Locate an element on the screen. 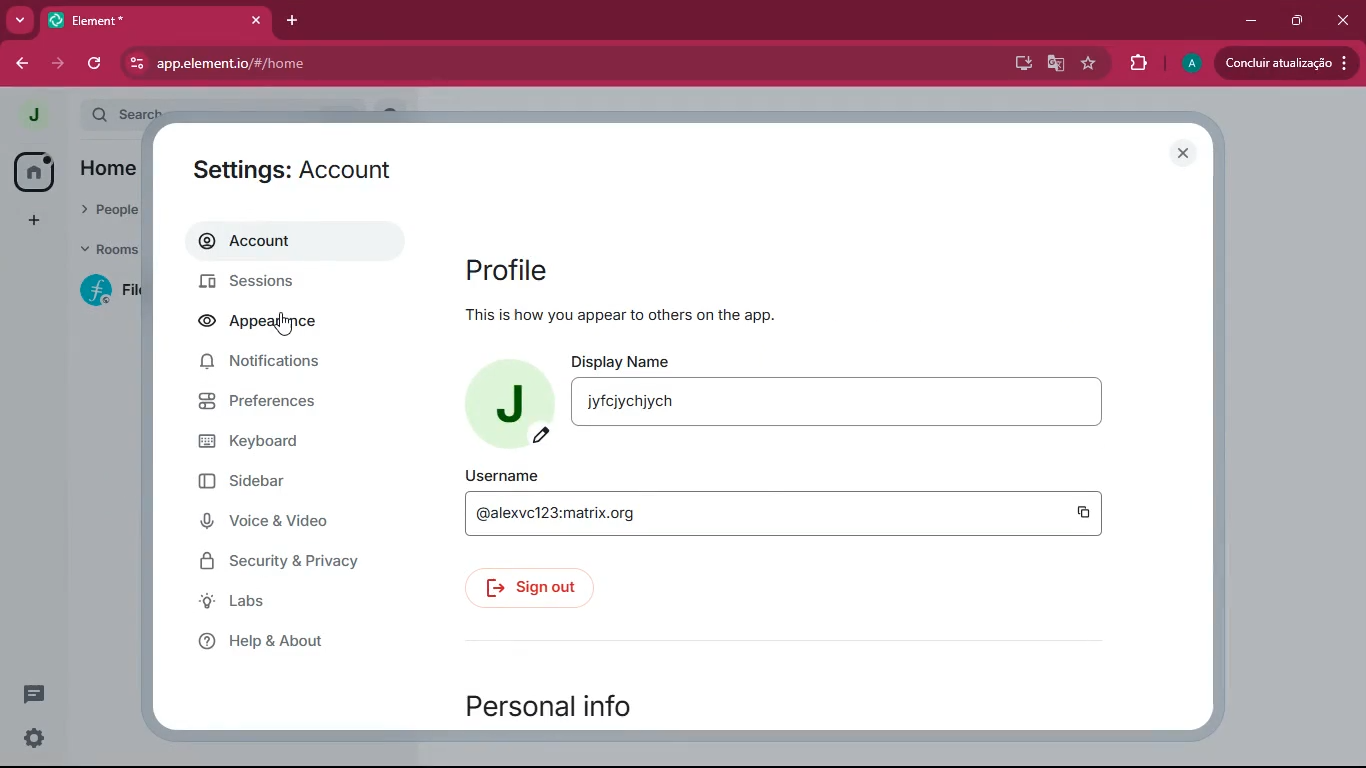 The height and width of the screenshot is (768, 1366). sessions is located at coordinates (288, 283).